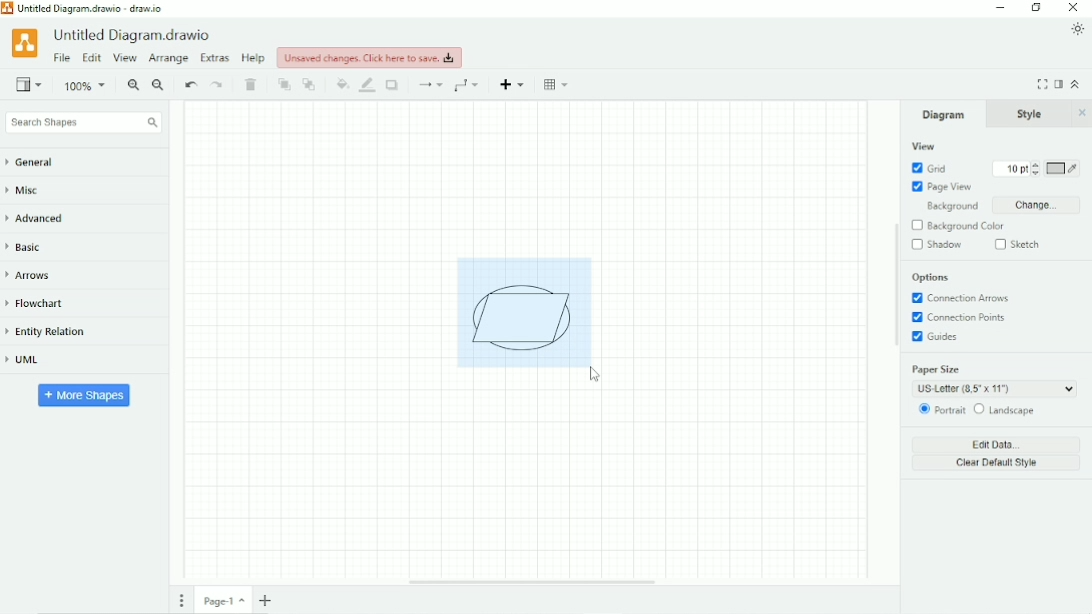 This screenshot has width=1092, height=614. Describe the element at coordinates (514, 84) in the screenshot. I see `Insert` at that location.